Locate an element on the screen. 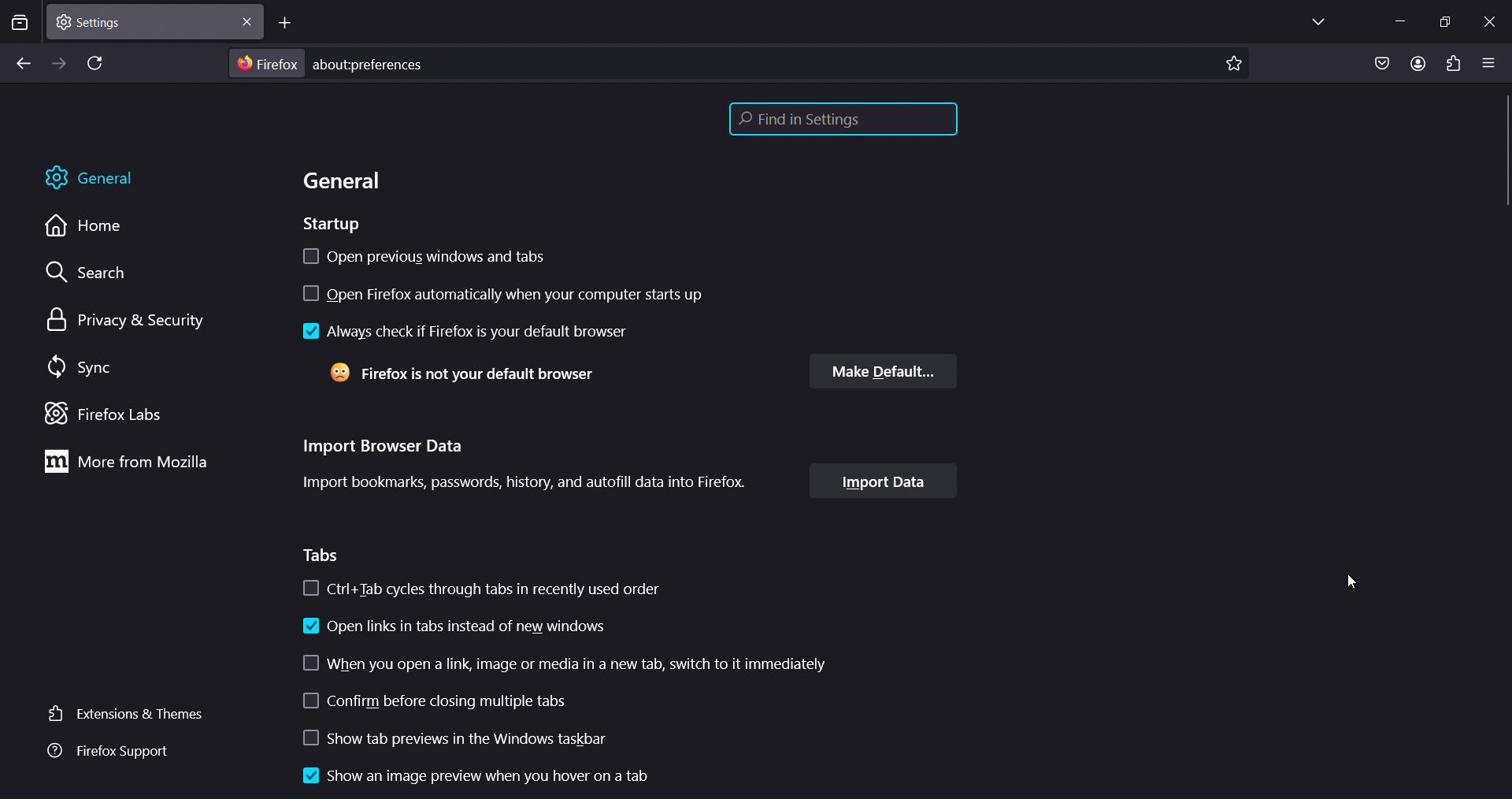 Image resolution: width=1512 pixels, height=799 pixels. Import Browser Data
Import bookmarks, passwords, history, and autofill data into Firefox. is located at coordinates (529, 466).